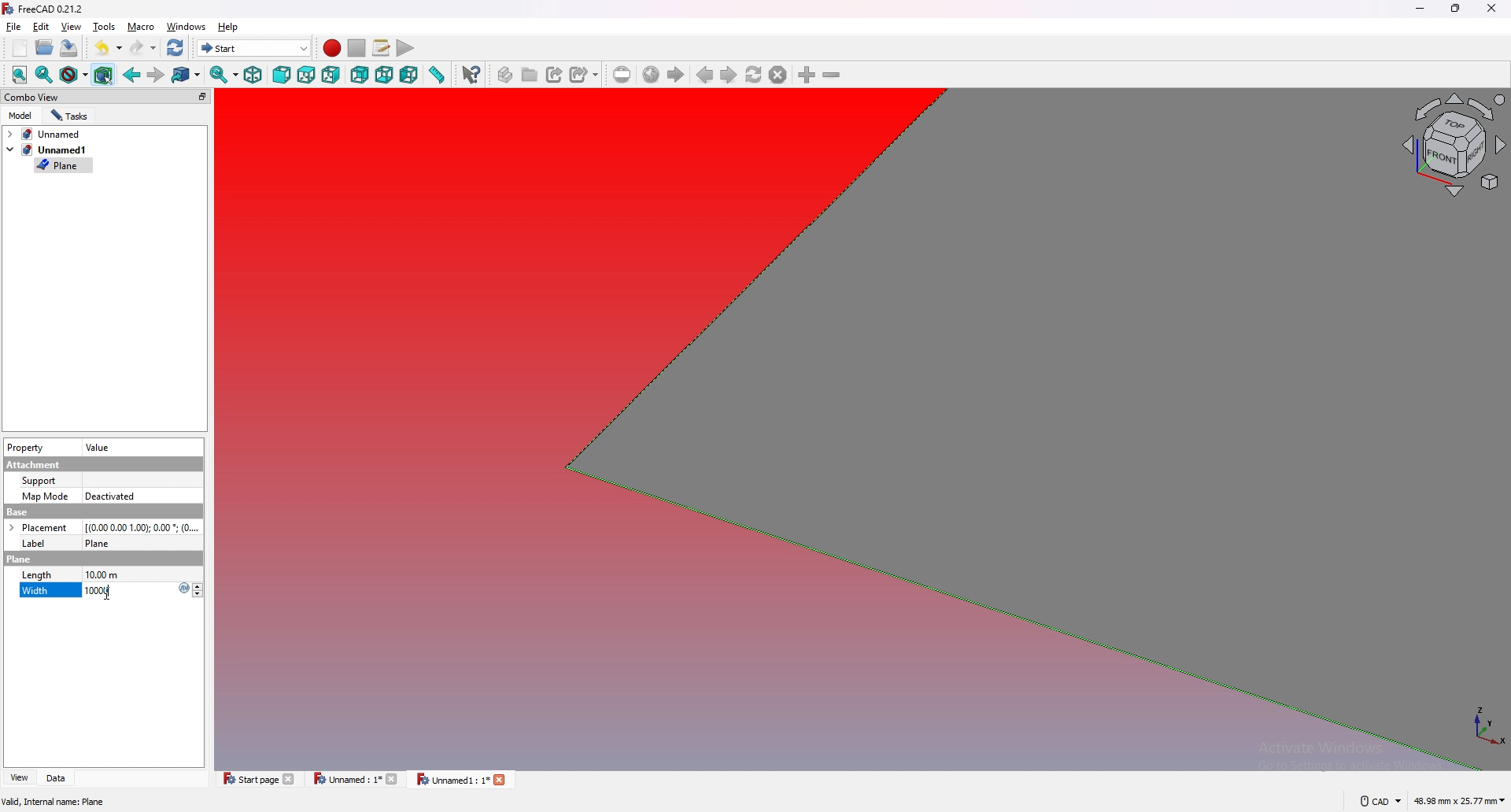 The width and height of the screenshot is (1511, 812). Describe the element at coordinates (706, 75) in the screenshot. I see `previous page` at that location.